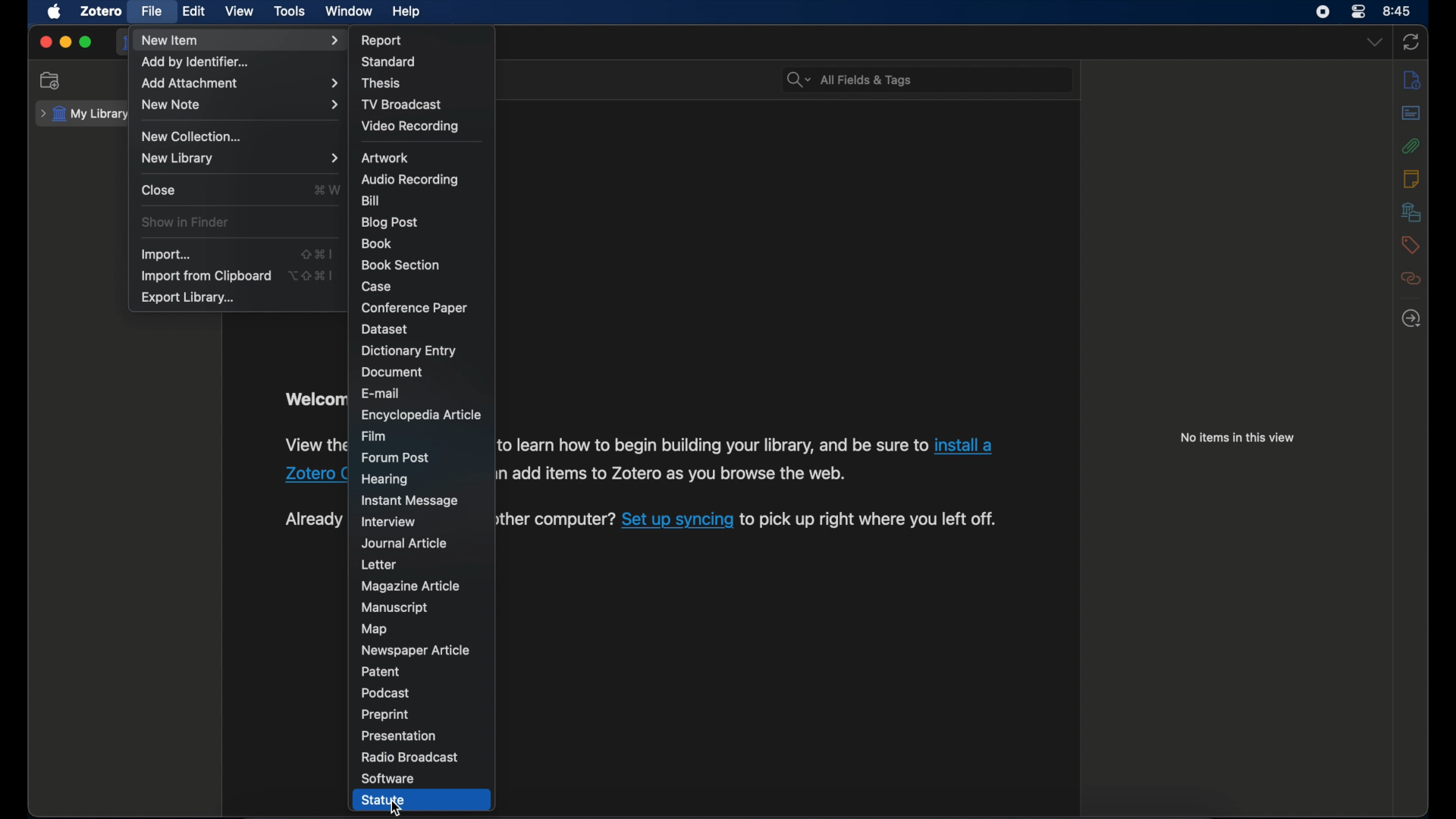 The image size is (1456, 819). Describe the element at coordinates (385, 158) in the screenshot. I see `artwork` at that location.